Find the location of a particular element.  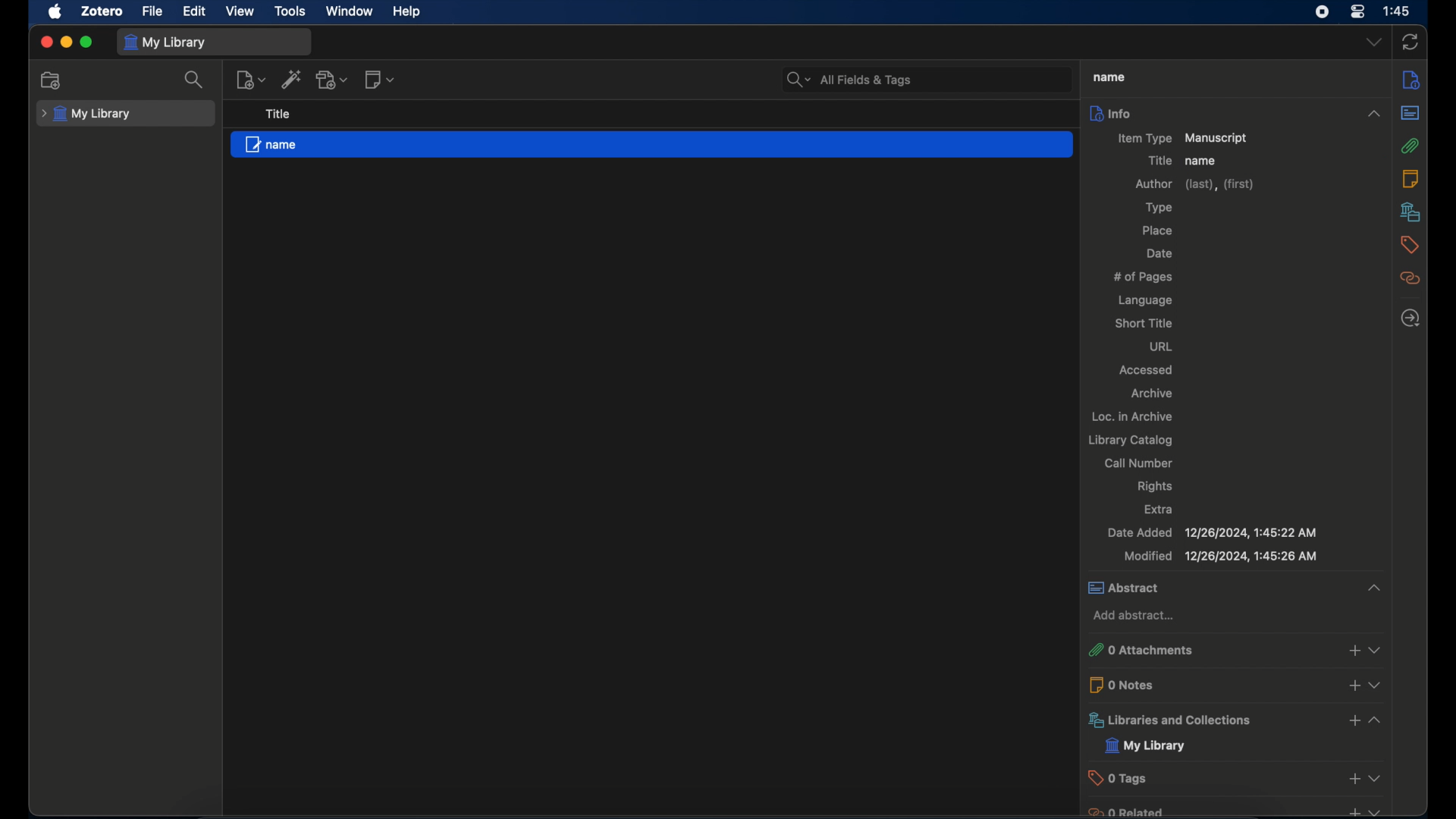

date is located at coordinates (1160, 254).